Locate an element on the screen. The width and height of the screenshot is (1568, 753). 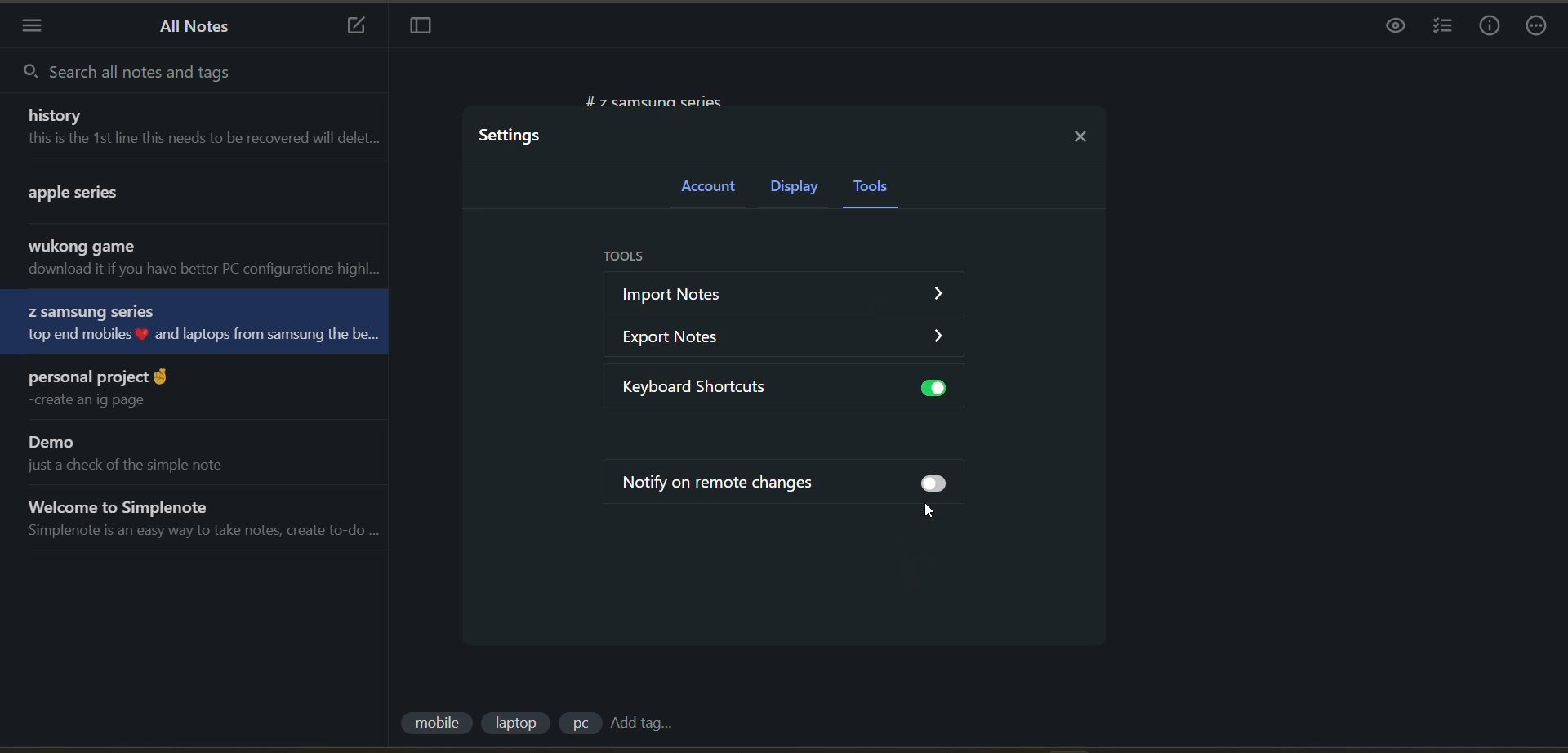
note title and preview is located at coordinates (211, 519).